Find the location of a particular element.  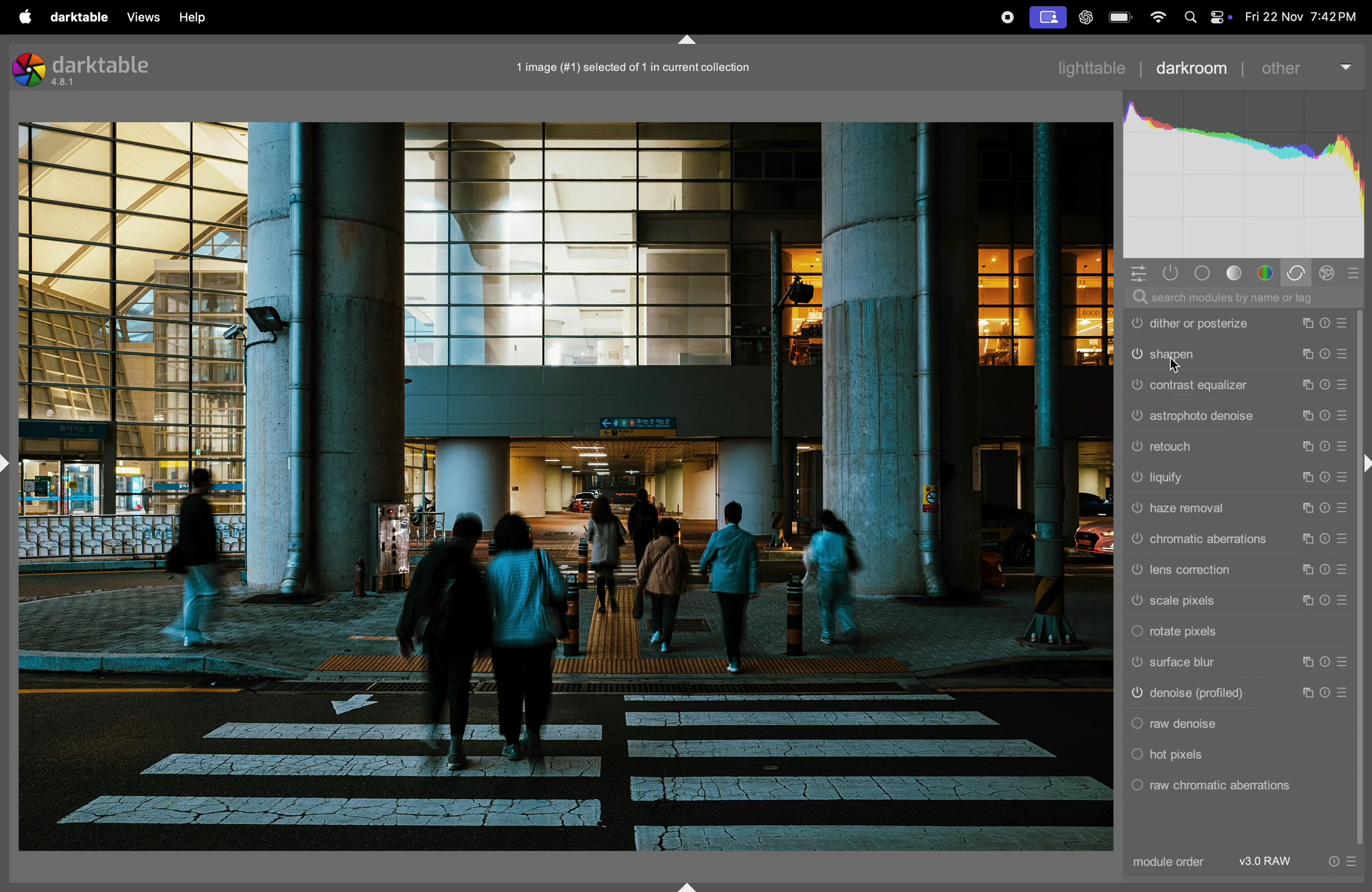

spotlight search is located at coordinates (1190, 18).